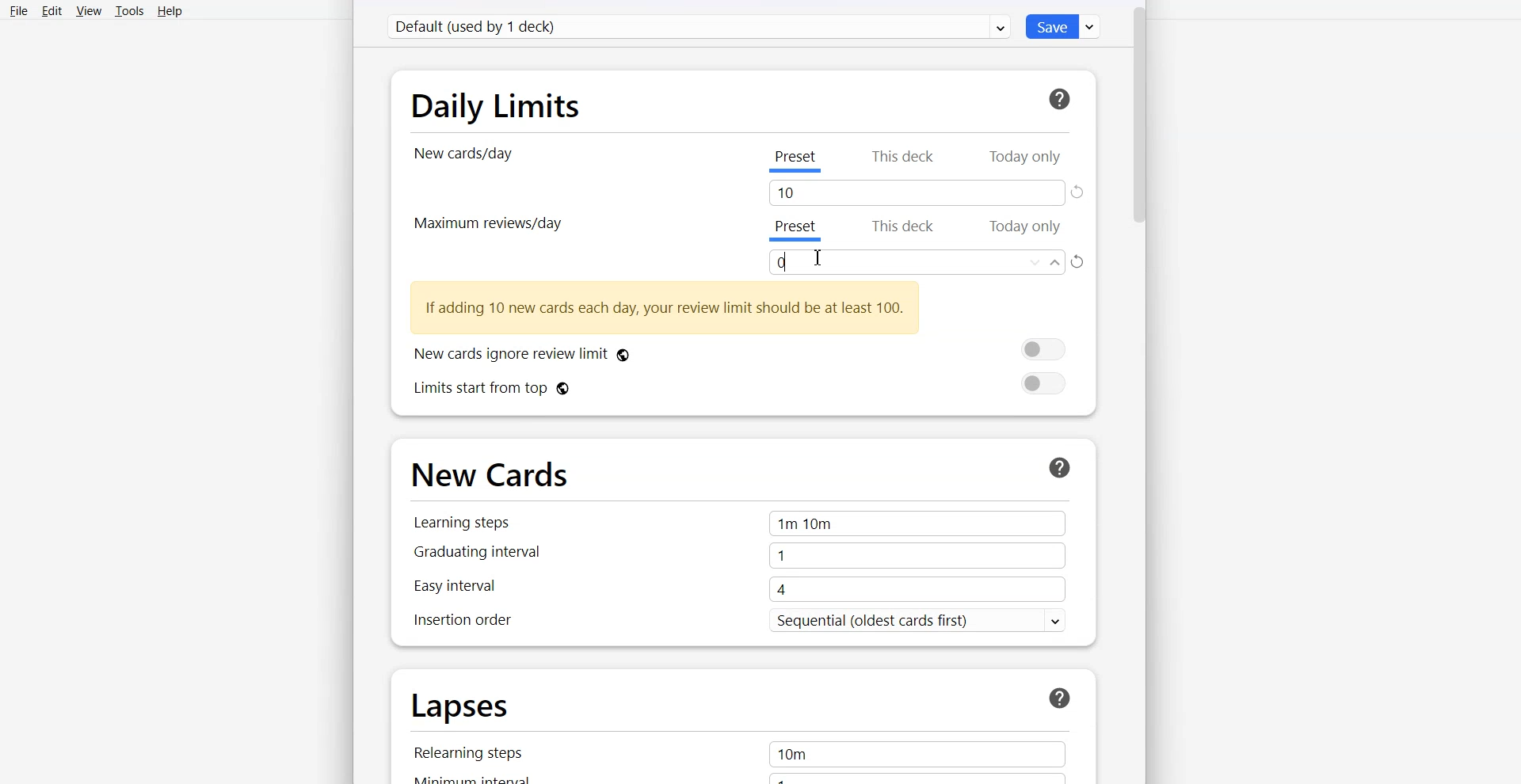 Image resolution: width=1521 pixels, height=784 pixels. Describe the element at coordinates (700, 27) in the screenshot. I see `Default` at that location.